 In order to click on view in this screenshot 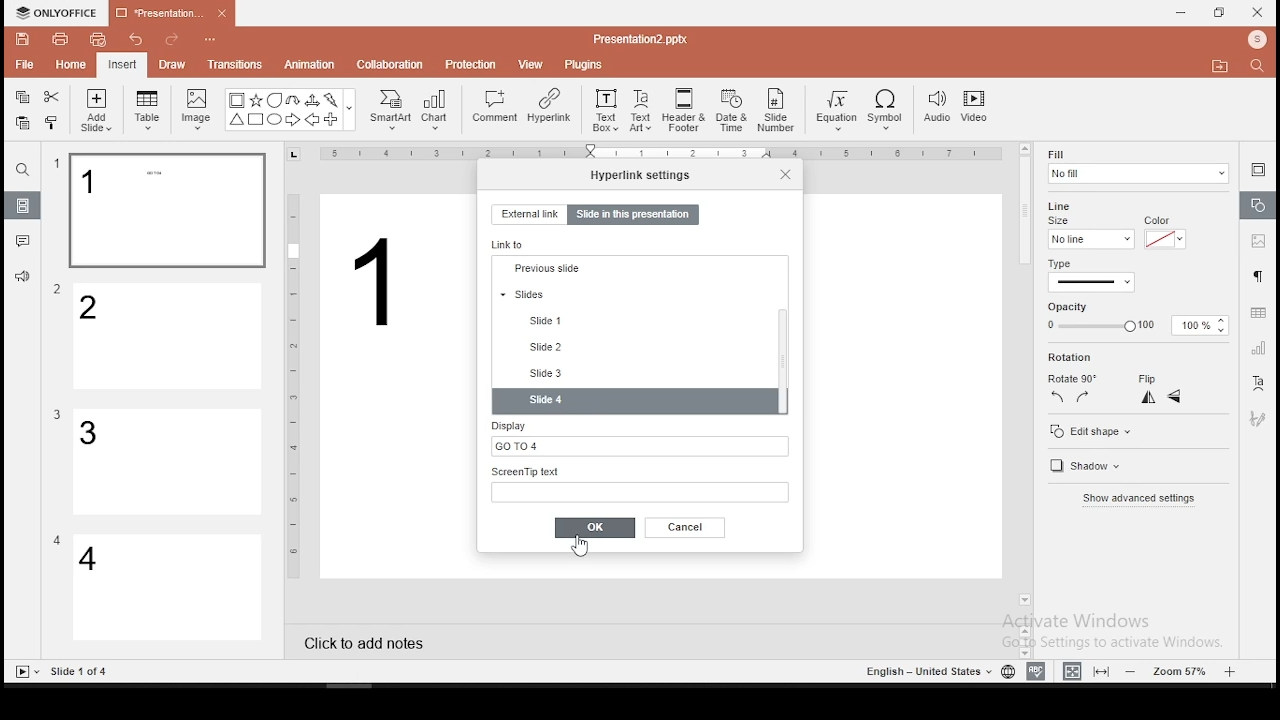, I will do `click(532, 63)`.